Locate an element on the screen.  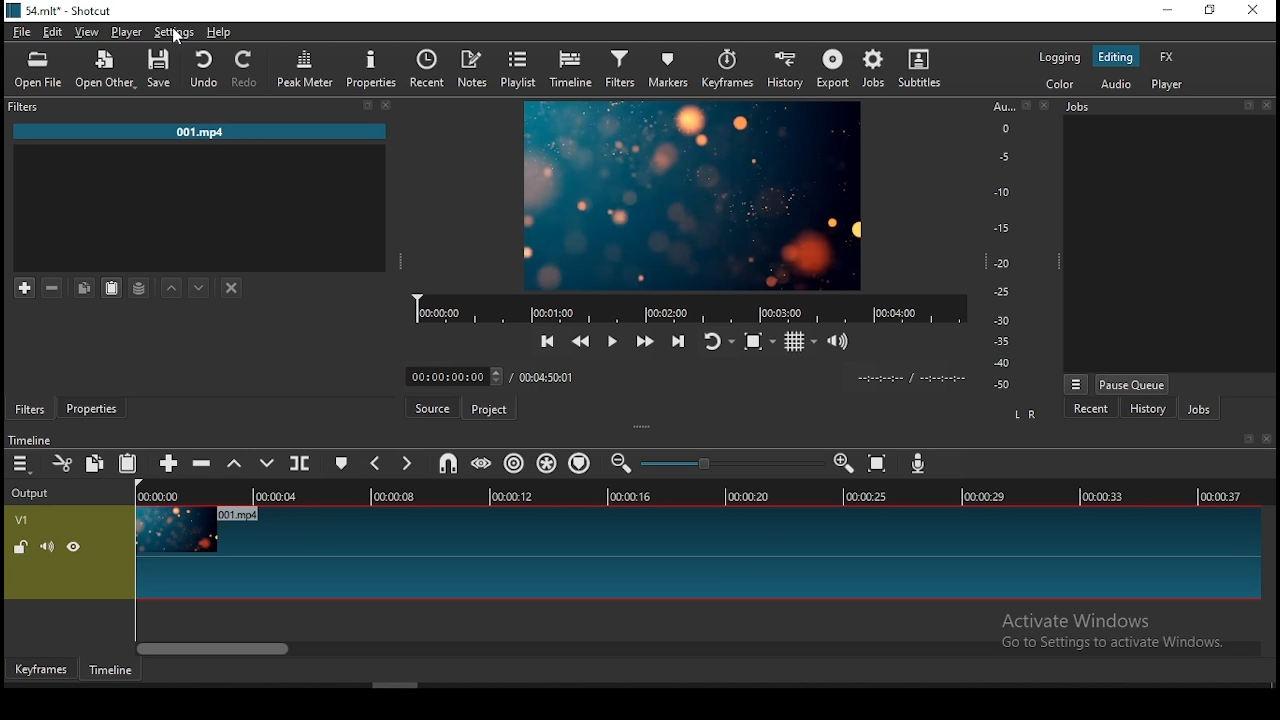
player is located at coordinates (128, 33).